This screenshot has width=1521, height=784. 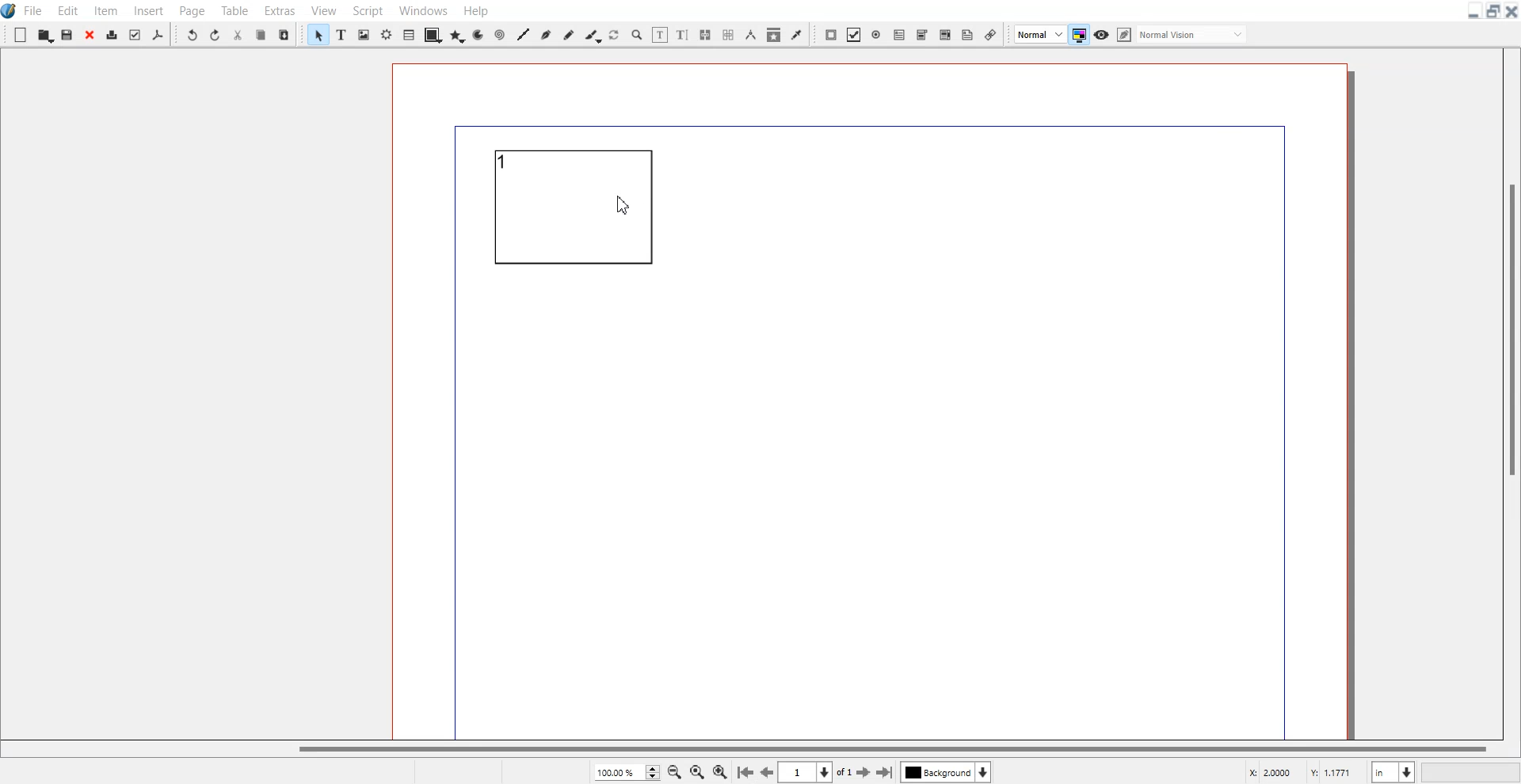 What do you see at coordinates (1078, 34) in the screenshot?
I see `Toggler mode` at bounding box center [1078, 34].